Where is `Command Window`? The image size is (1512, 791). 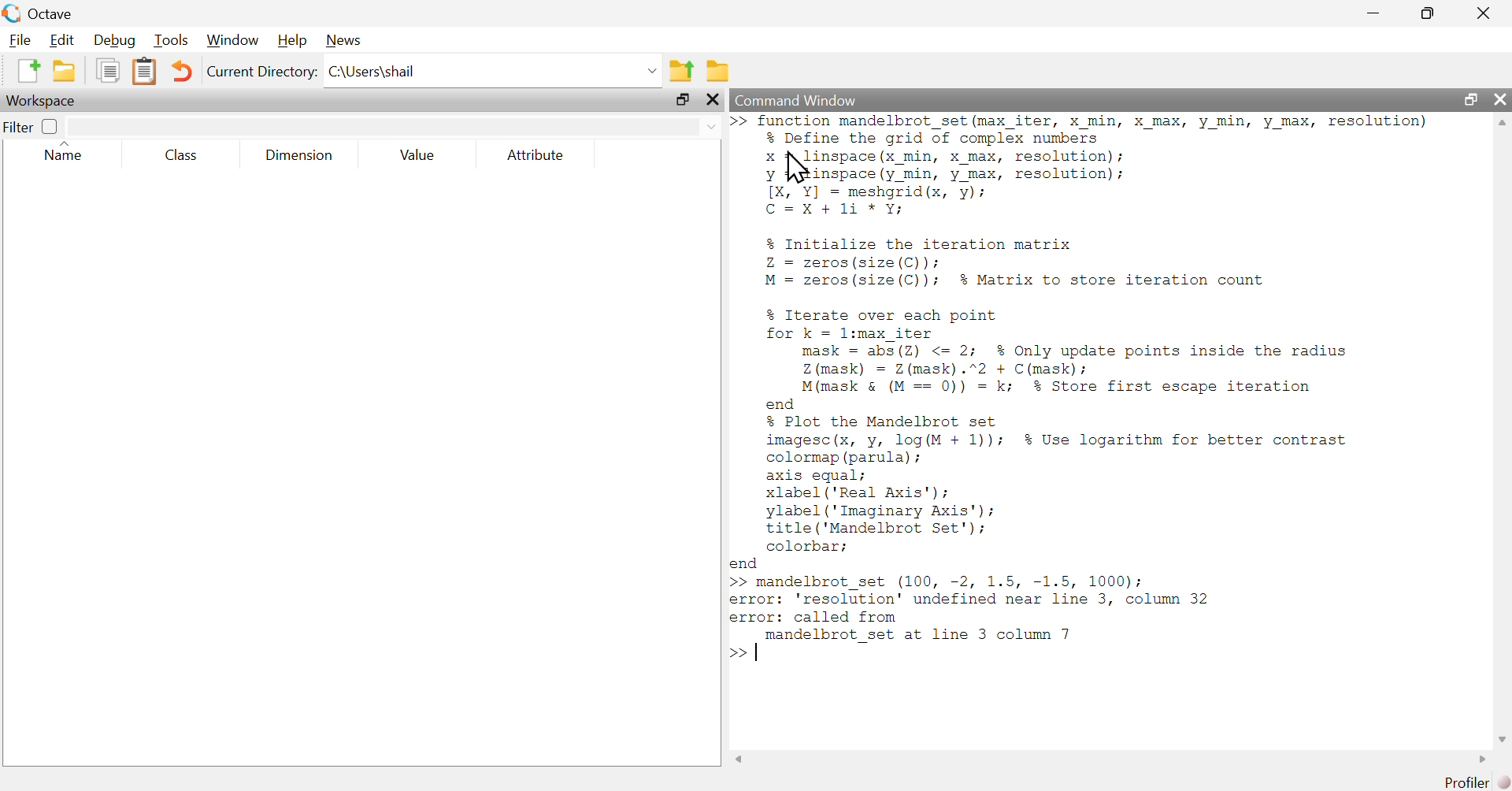 Command Window is located at coordinates (1000, 99).